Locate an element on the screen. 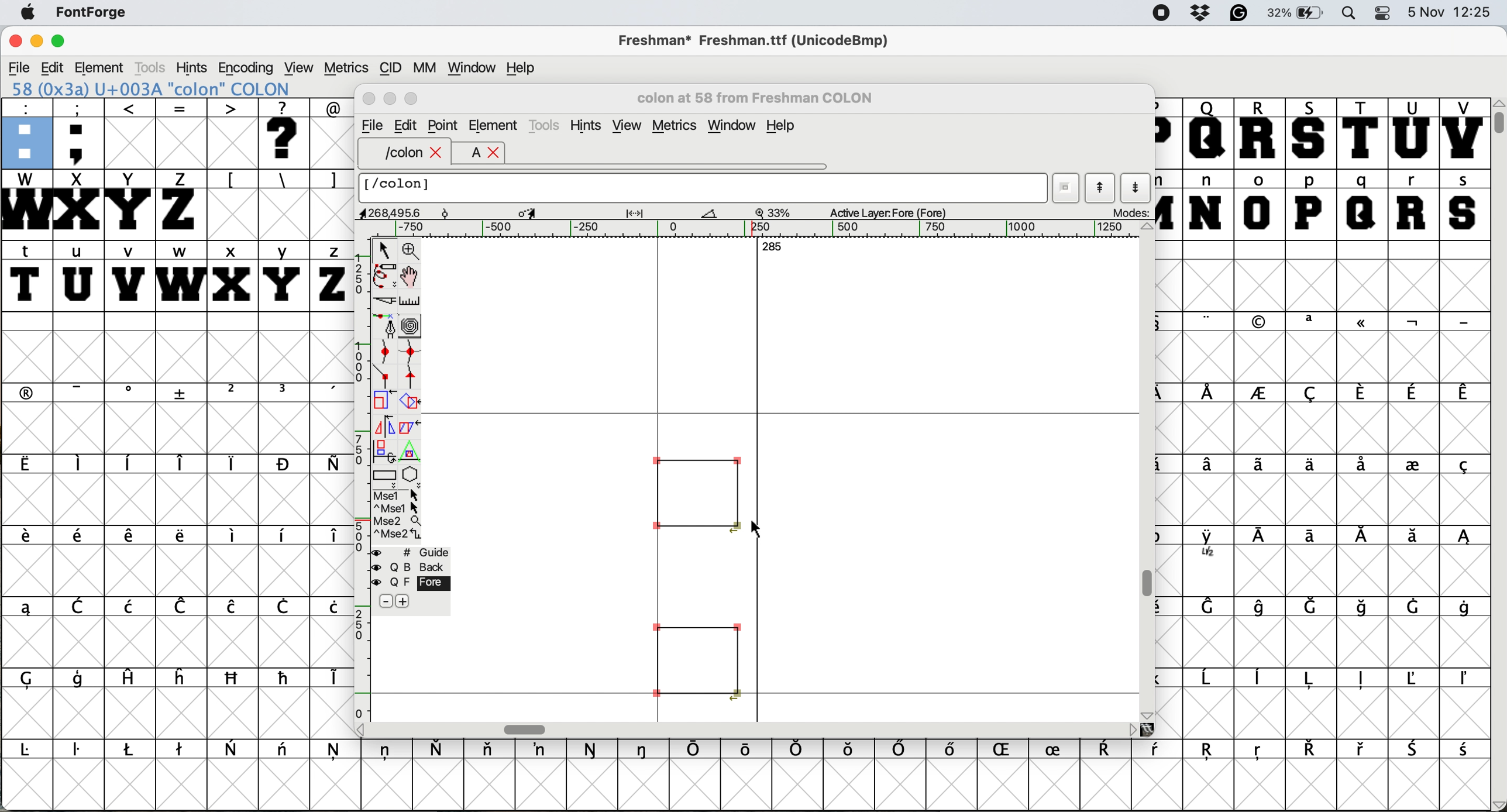 The height and width of the screenshot is (812, 1507). symbol is located at coordinates (285, 677).